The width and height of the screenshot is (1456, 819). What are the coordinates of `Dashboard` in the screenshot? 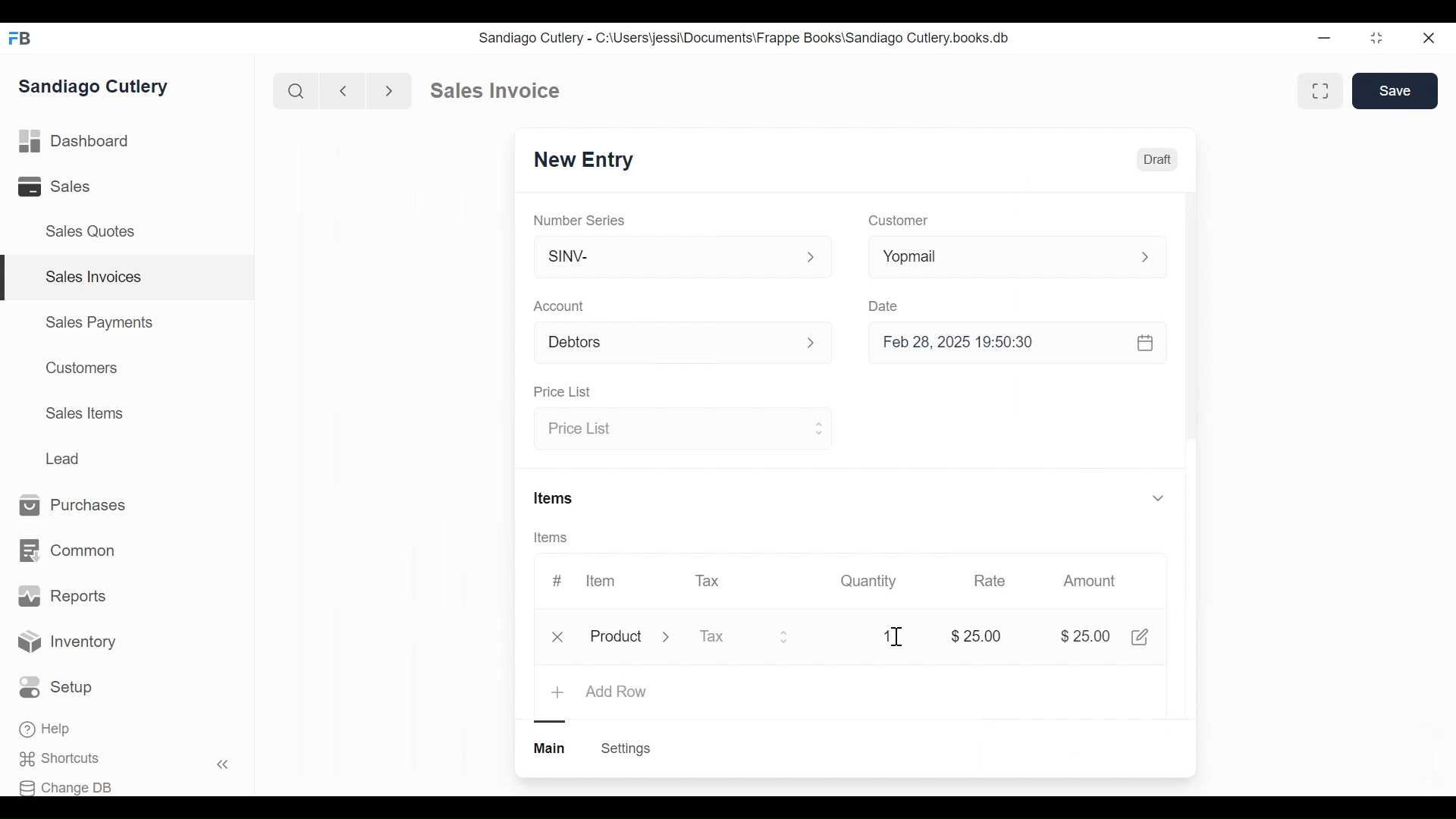 It's located at (75, 140).